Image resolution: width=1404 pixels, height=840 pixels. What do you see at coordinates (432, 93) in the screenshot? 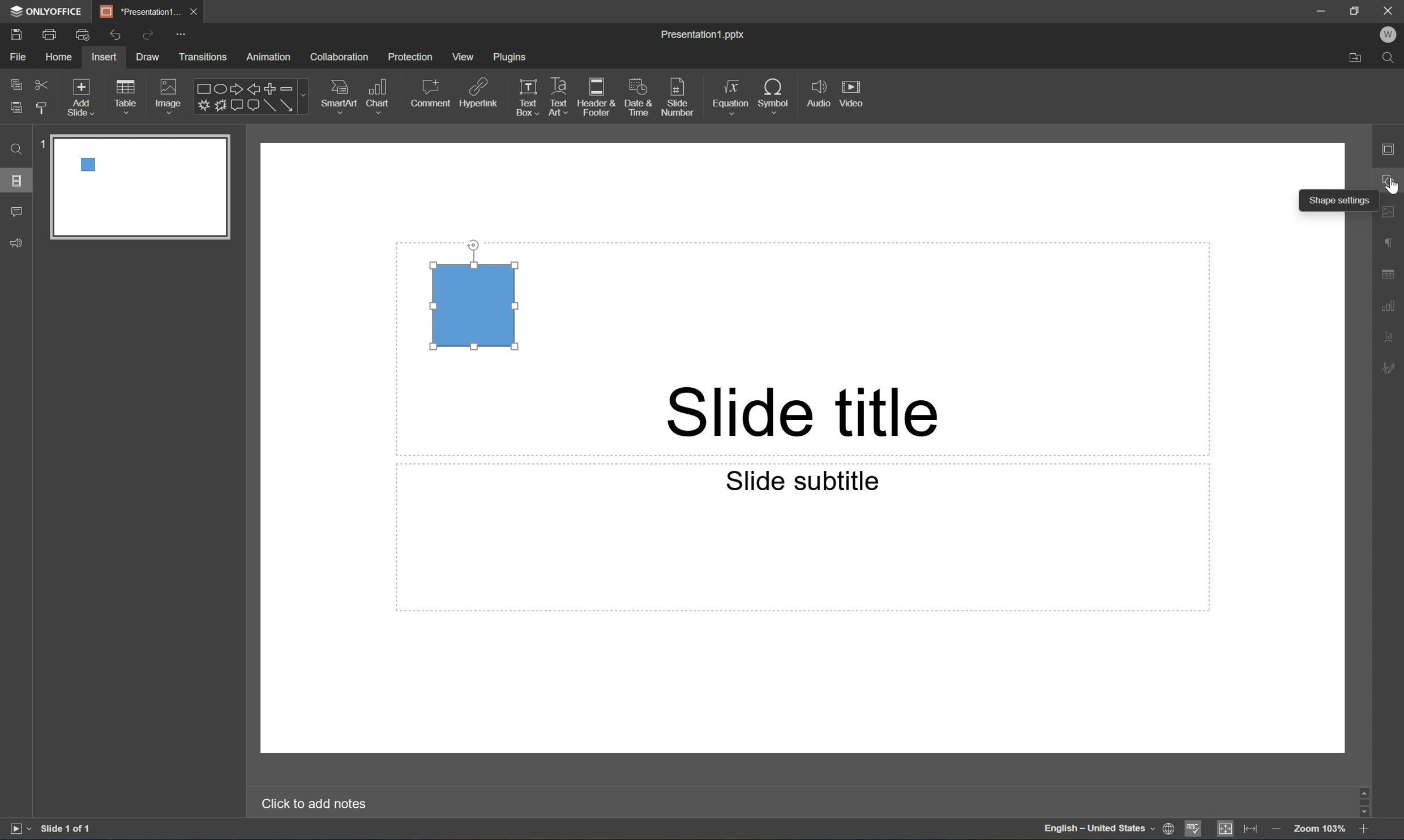
I see `Comment` at bounding box center [432, 93].